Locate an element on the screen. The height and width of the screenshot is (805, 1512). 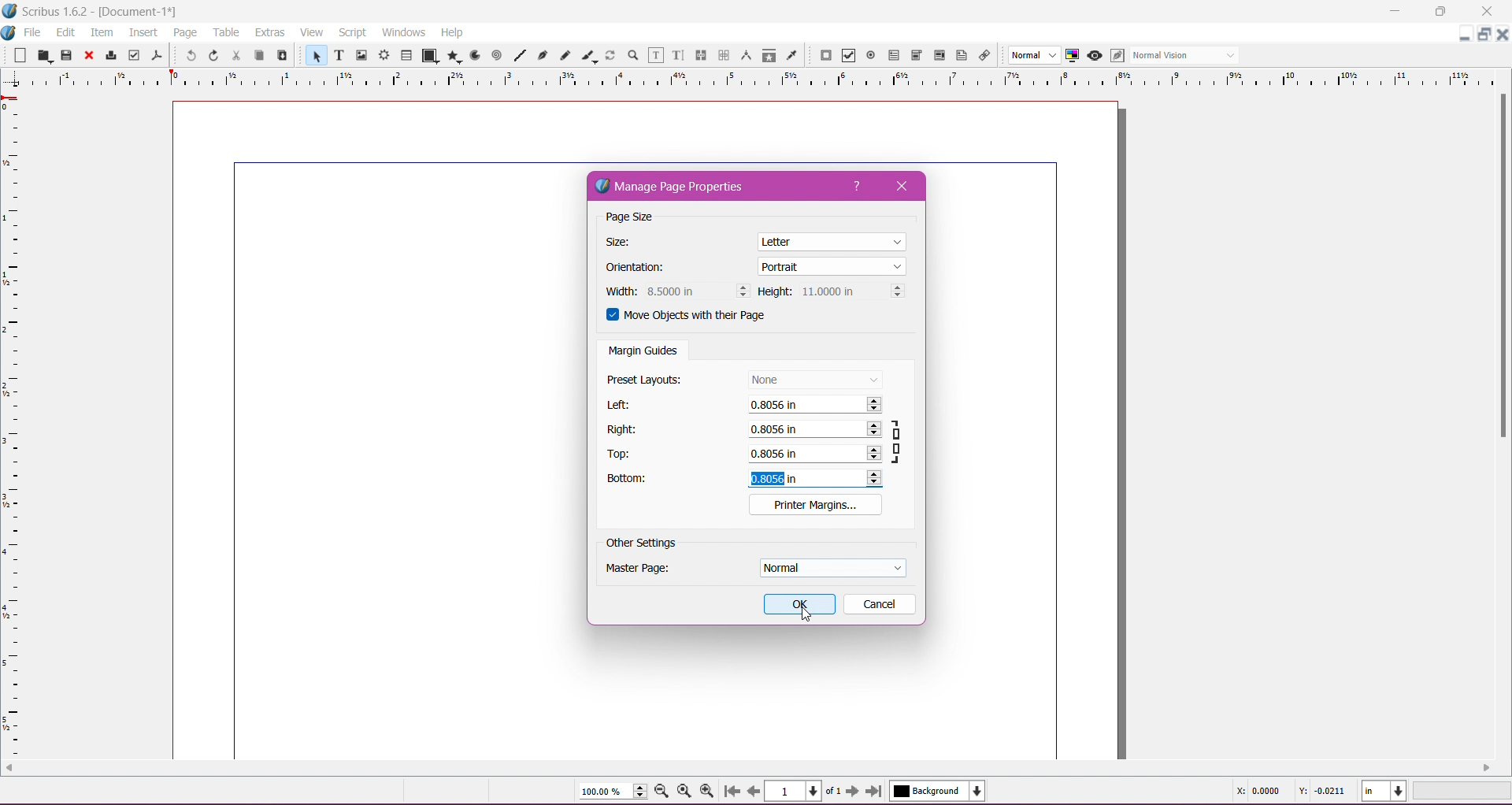
Horizontal Scroll Bar is located at coordinates (748, 768).